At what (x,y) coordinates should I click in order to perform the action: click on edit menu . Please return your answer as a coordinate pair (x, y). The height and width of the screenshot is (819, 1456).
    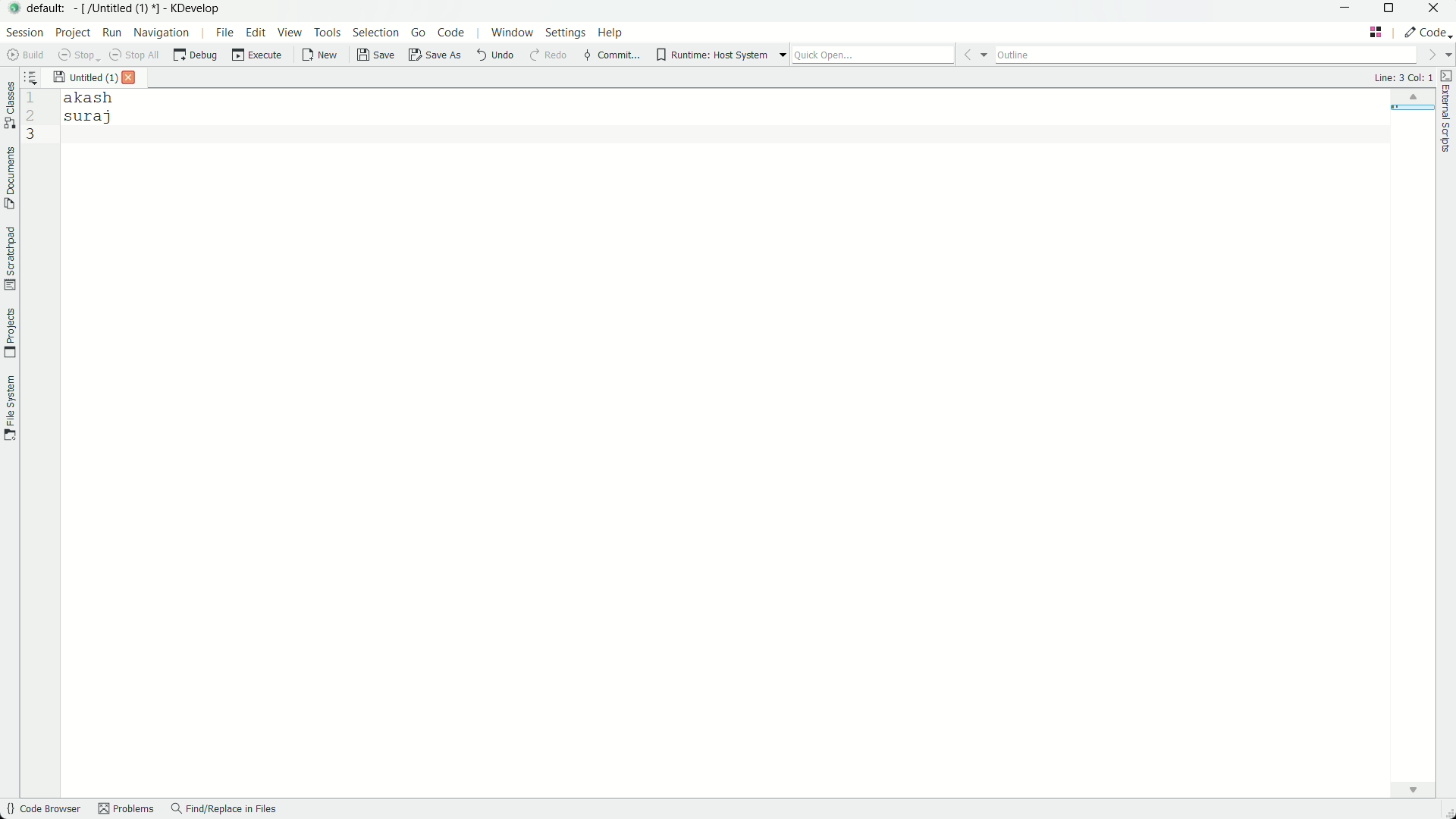
    Looking at the image, I should click on (256, 34).